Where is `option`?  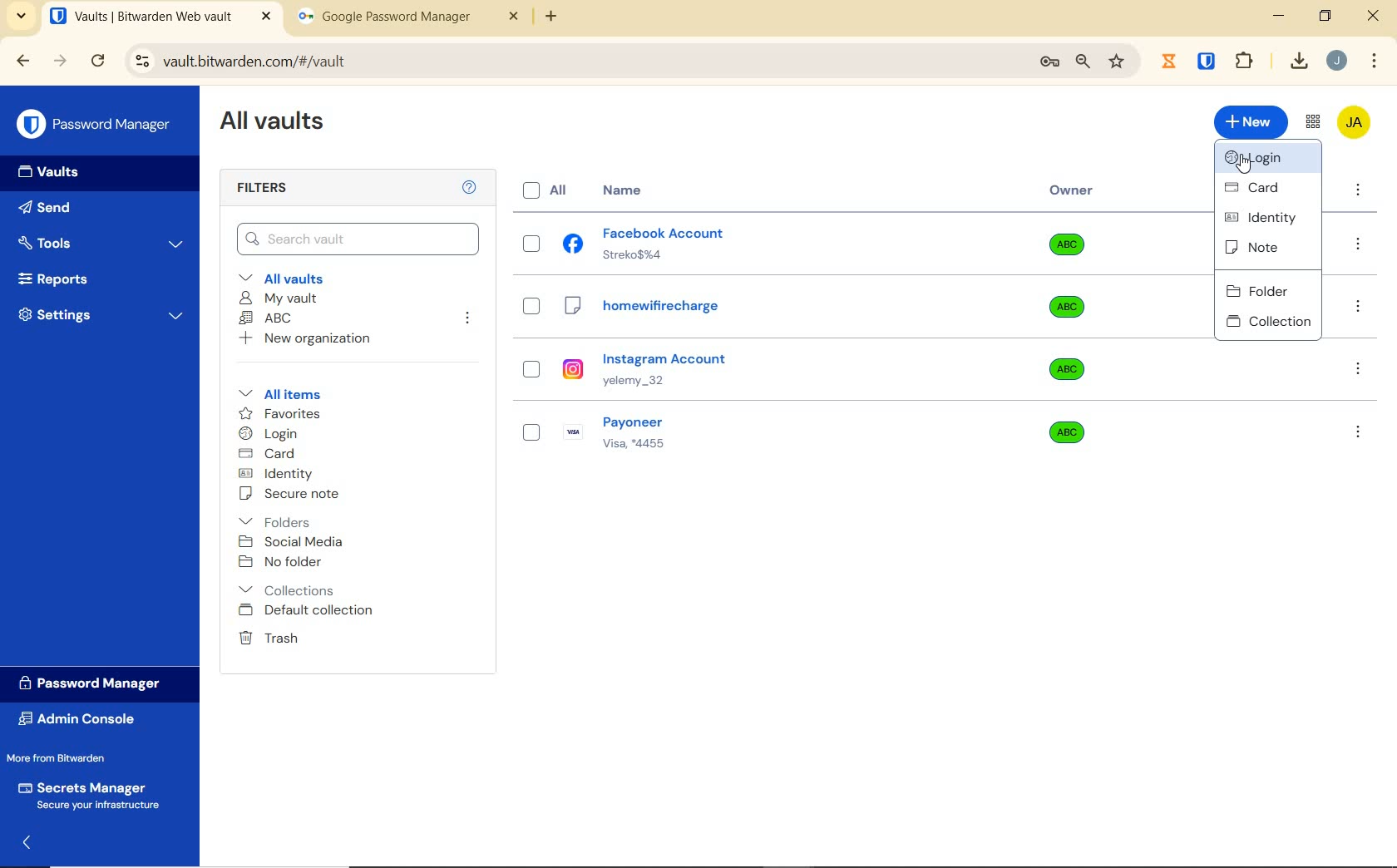 option is located at coordinates (1357, 431).